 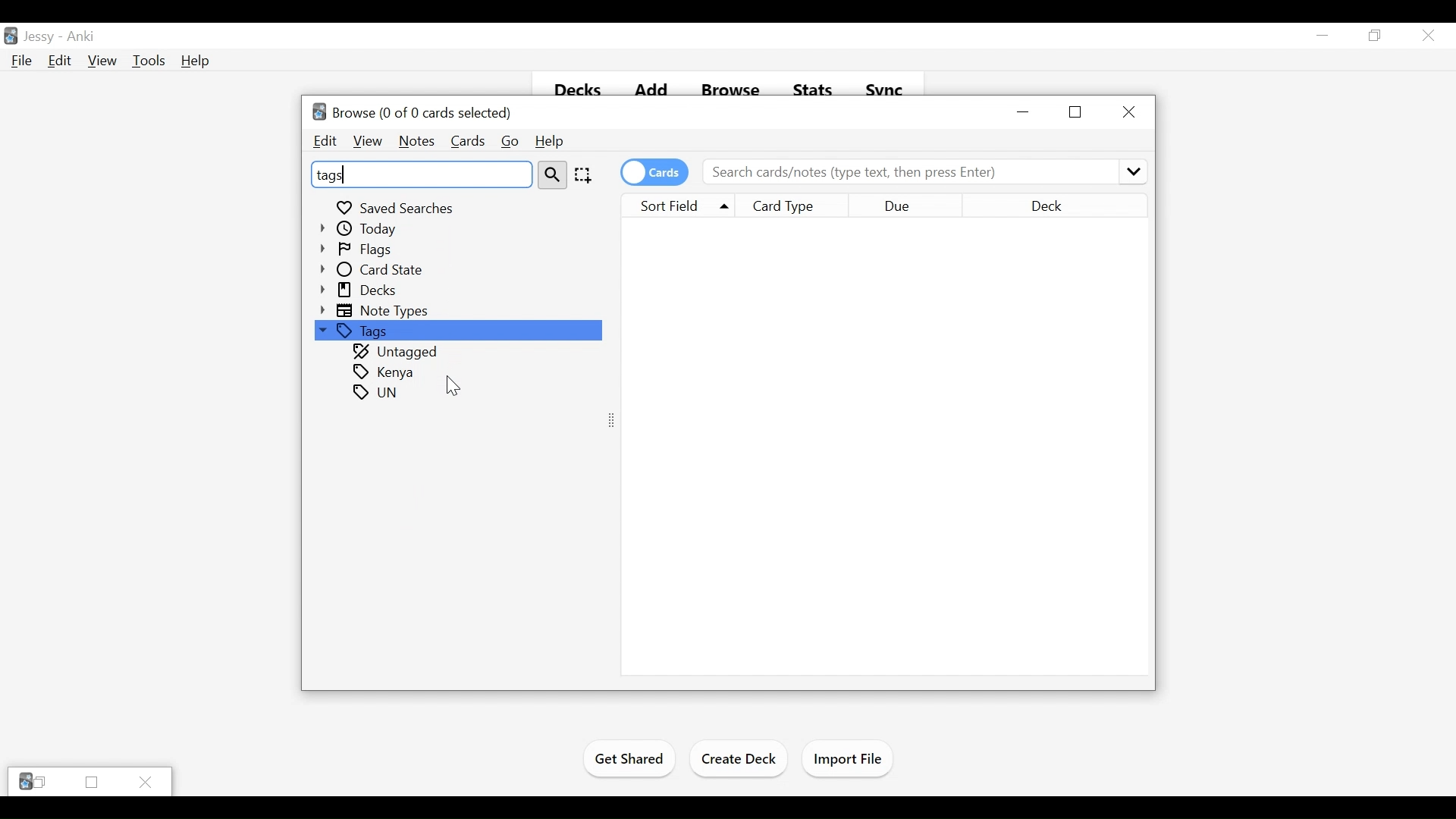 I want to click on Anki Restore tabs, so click(x=33, y=782).